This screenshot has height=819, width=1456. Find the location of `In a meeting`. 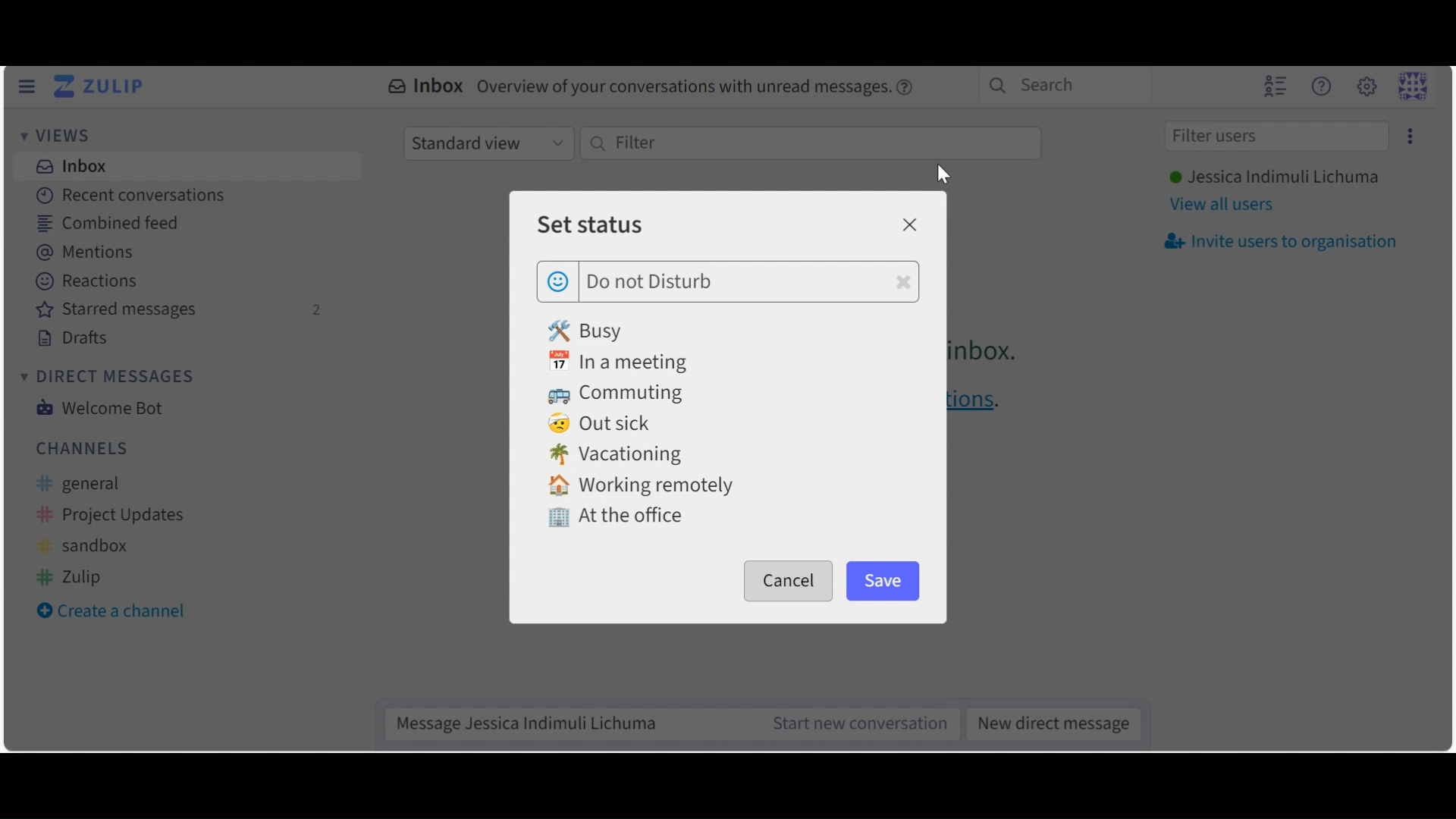

In a meeting is located at coordinates (625, 362).